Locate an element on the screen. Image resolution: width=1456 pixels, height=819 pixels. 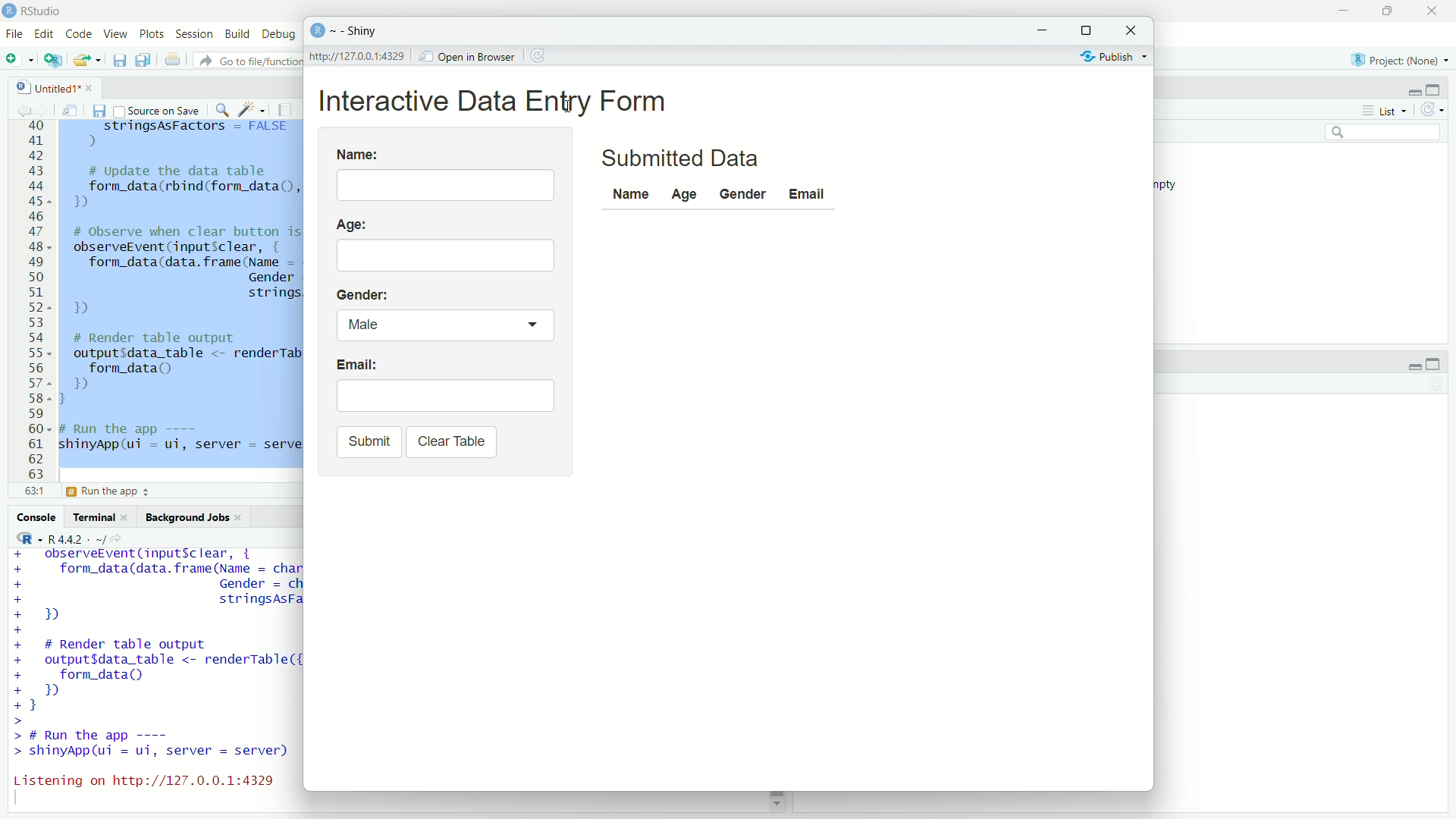
R 4.4.2 . ~/ is located at coordinates (77, 538).